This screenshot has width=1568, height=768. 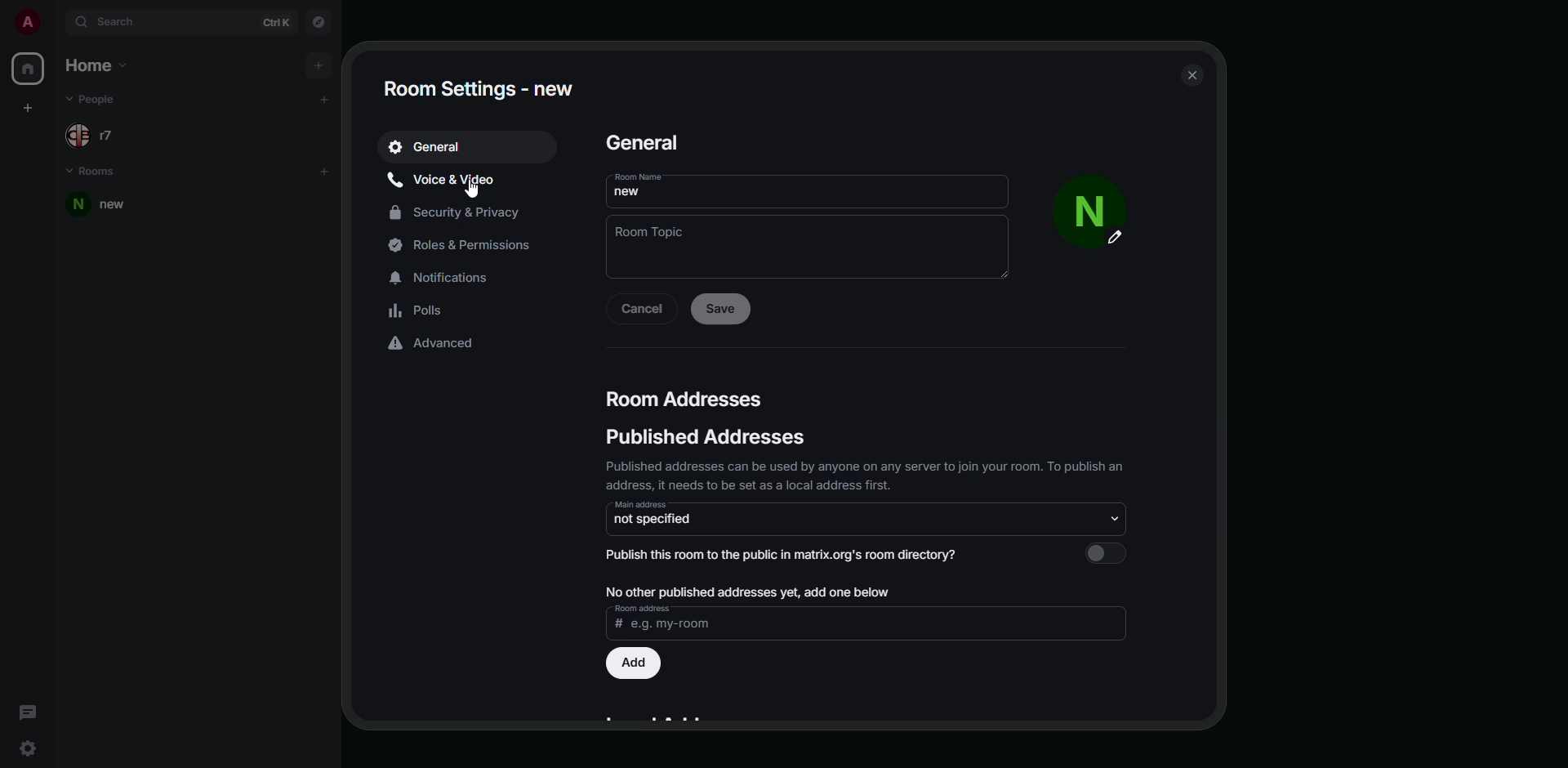 I want to click on disabled, so click(x=1105, y=553).